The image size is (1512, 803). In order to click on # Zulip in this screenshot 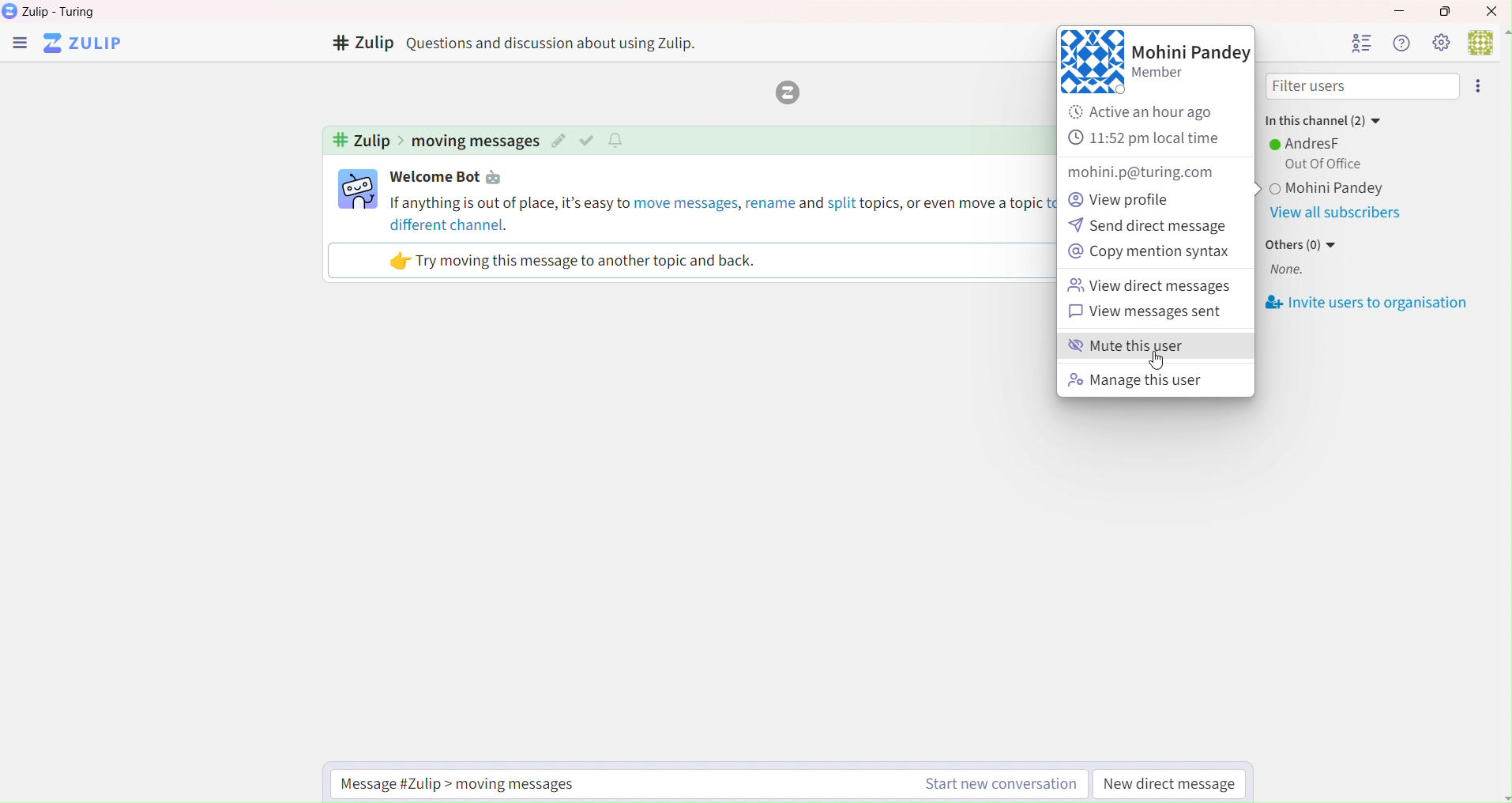, I will do `click(361, 44)`.